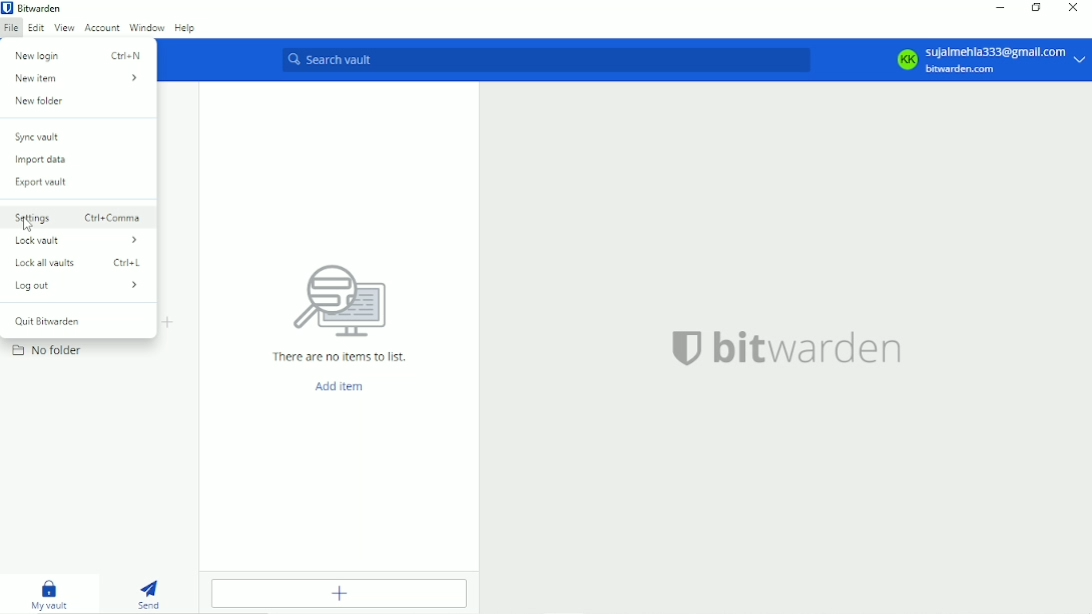  I want to click on KK sujalmehla333@gmail.com     bitwarden.com, so click(988, 60).